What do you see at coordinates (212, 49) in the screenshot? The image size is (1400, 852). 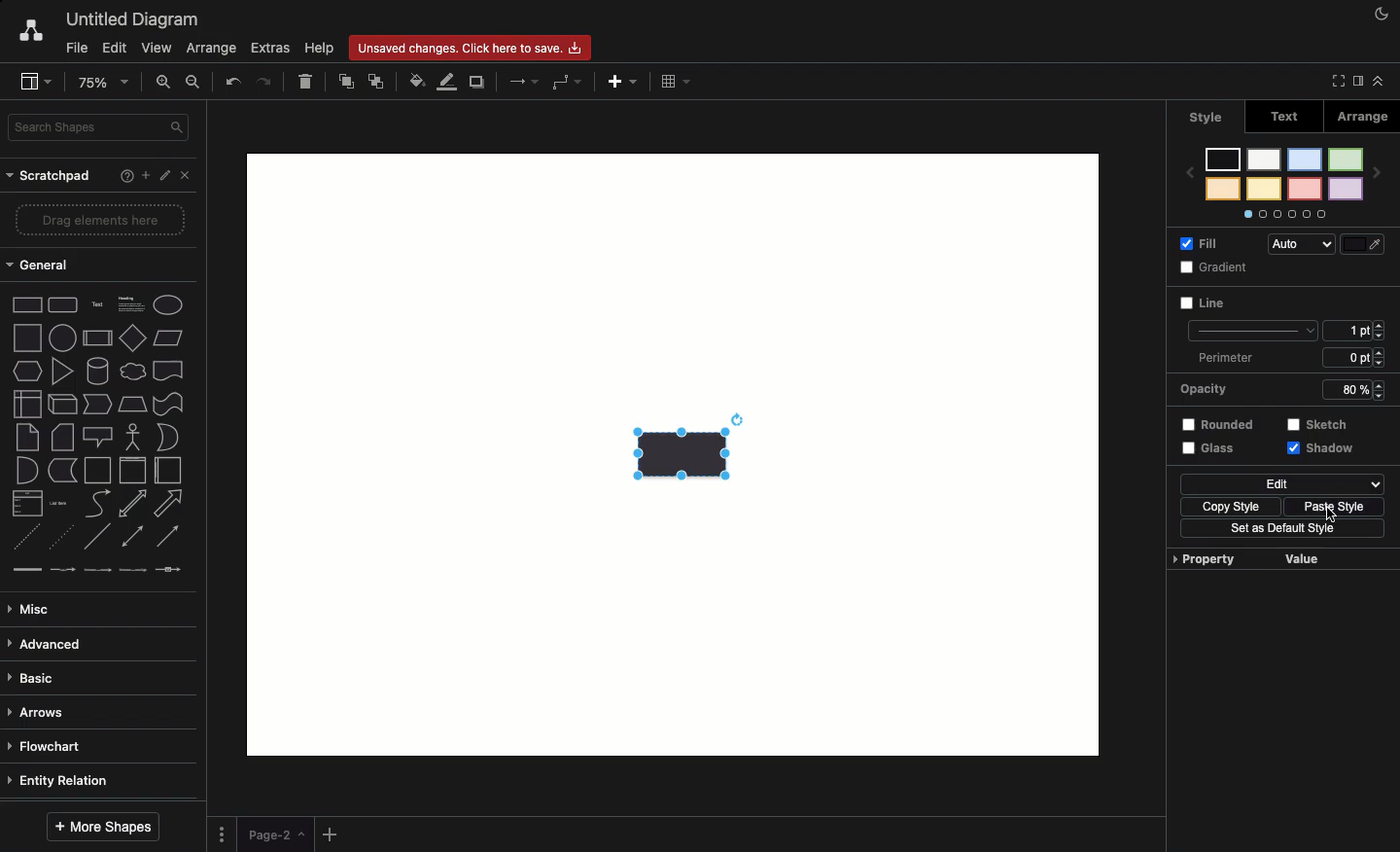 I see `Arrange` at bounding box center [212, 49].